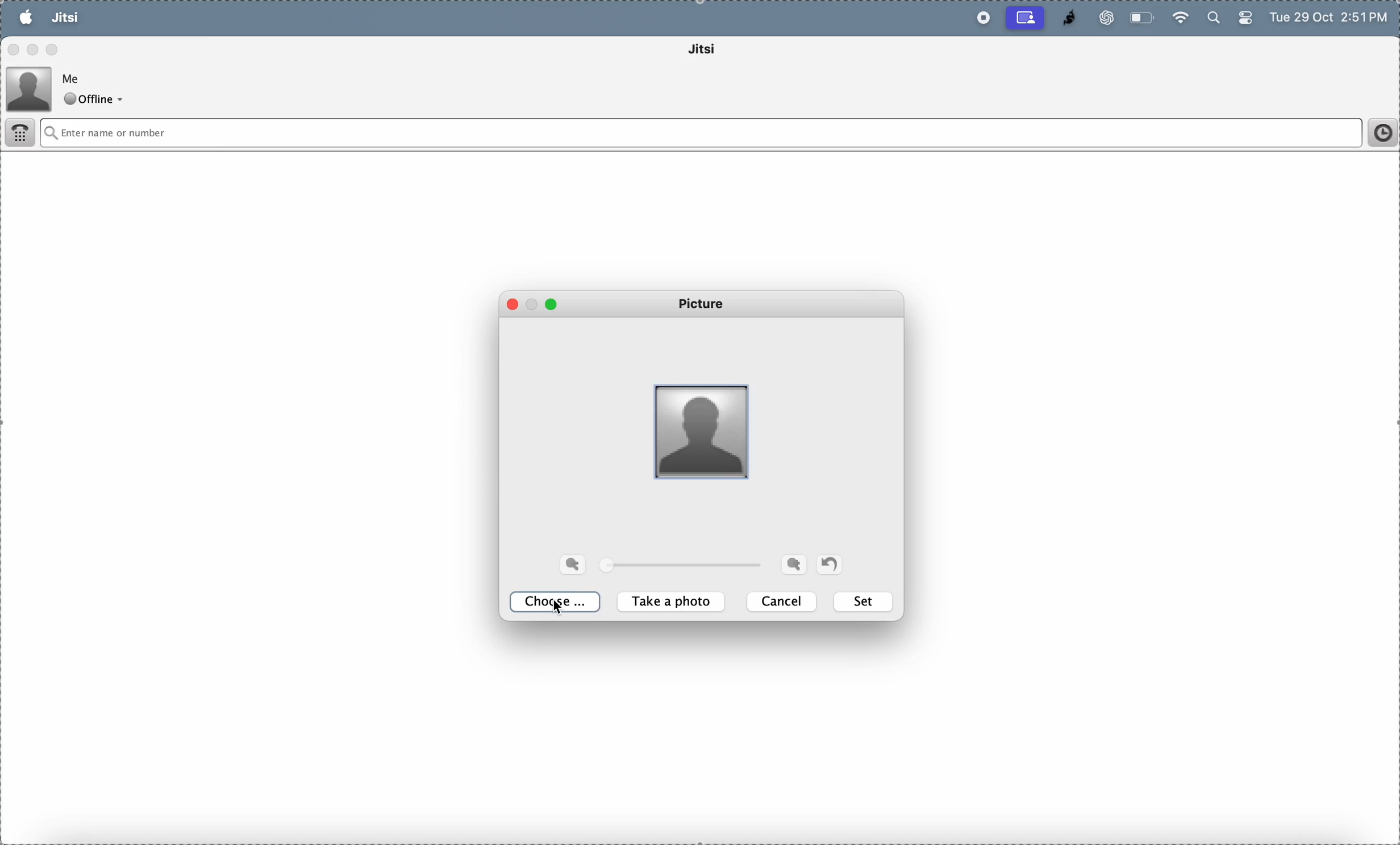 This screenshot has width=1400, height=845. I want to click on revert, so click(829, 563).